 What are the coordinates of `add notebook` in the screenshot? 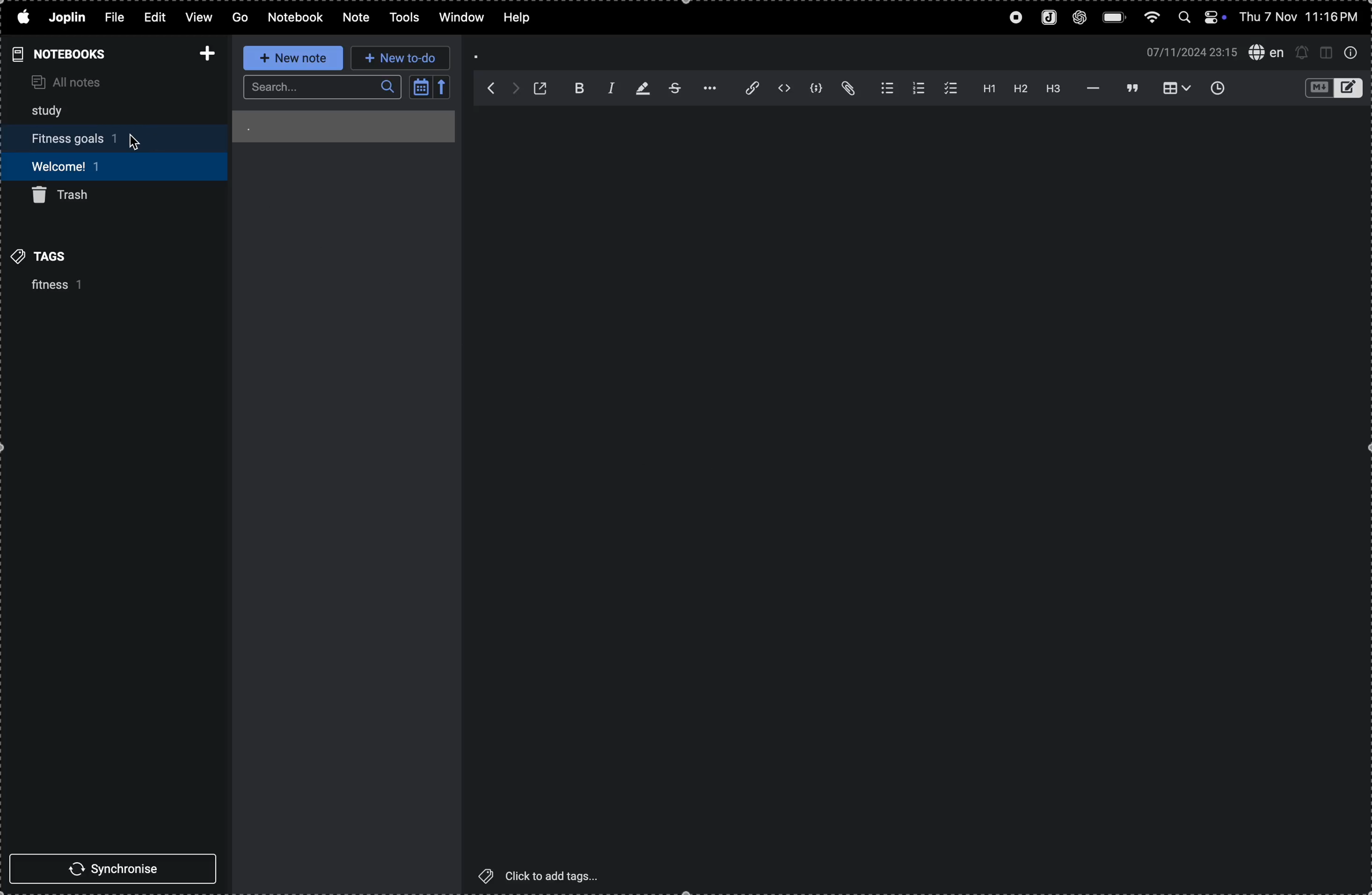 It's located at (203, 52).